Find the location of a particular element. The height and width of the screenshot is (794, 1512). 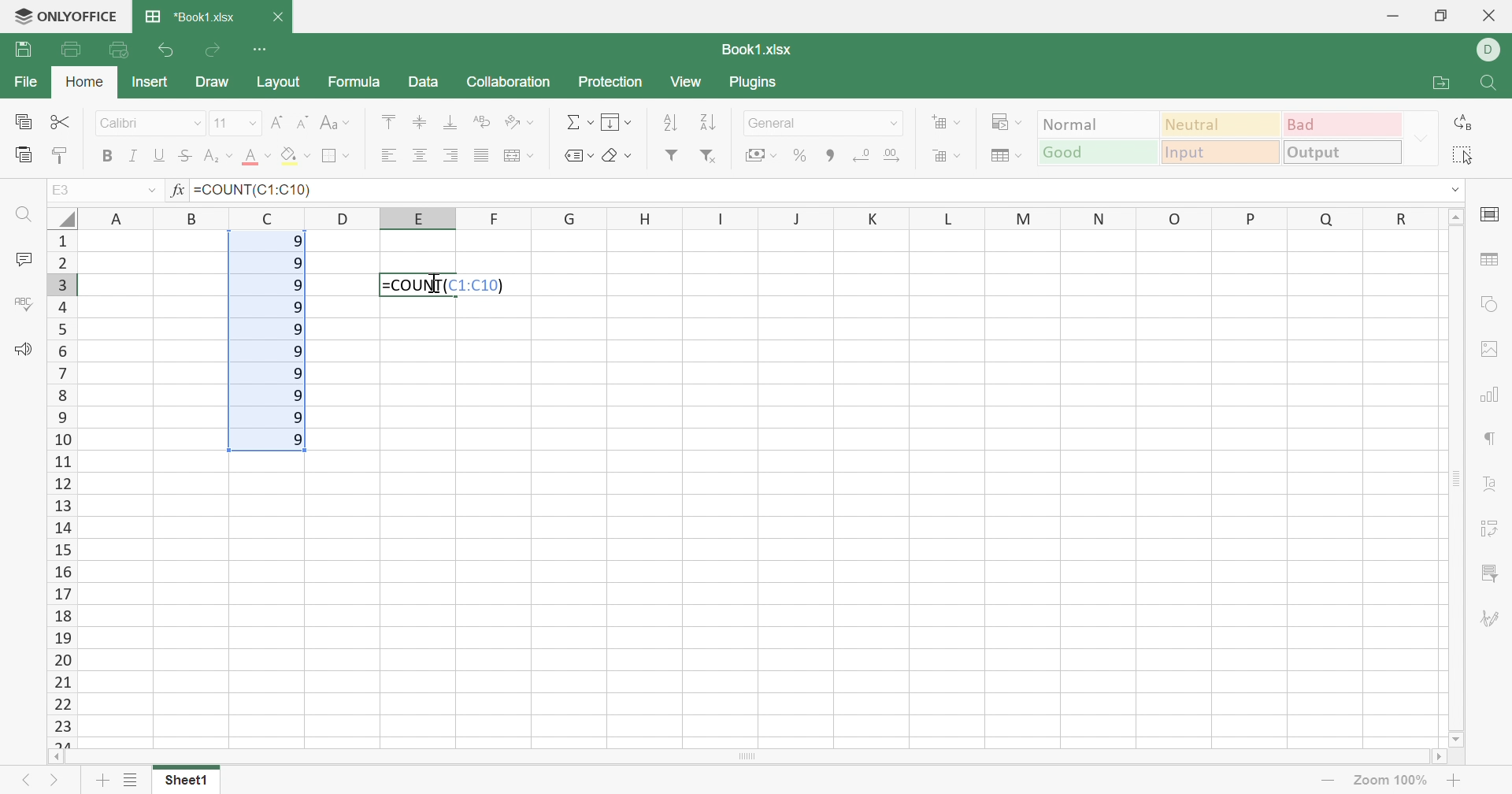

Insert cells is located at coordinates (947, 121).